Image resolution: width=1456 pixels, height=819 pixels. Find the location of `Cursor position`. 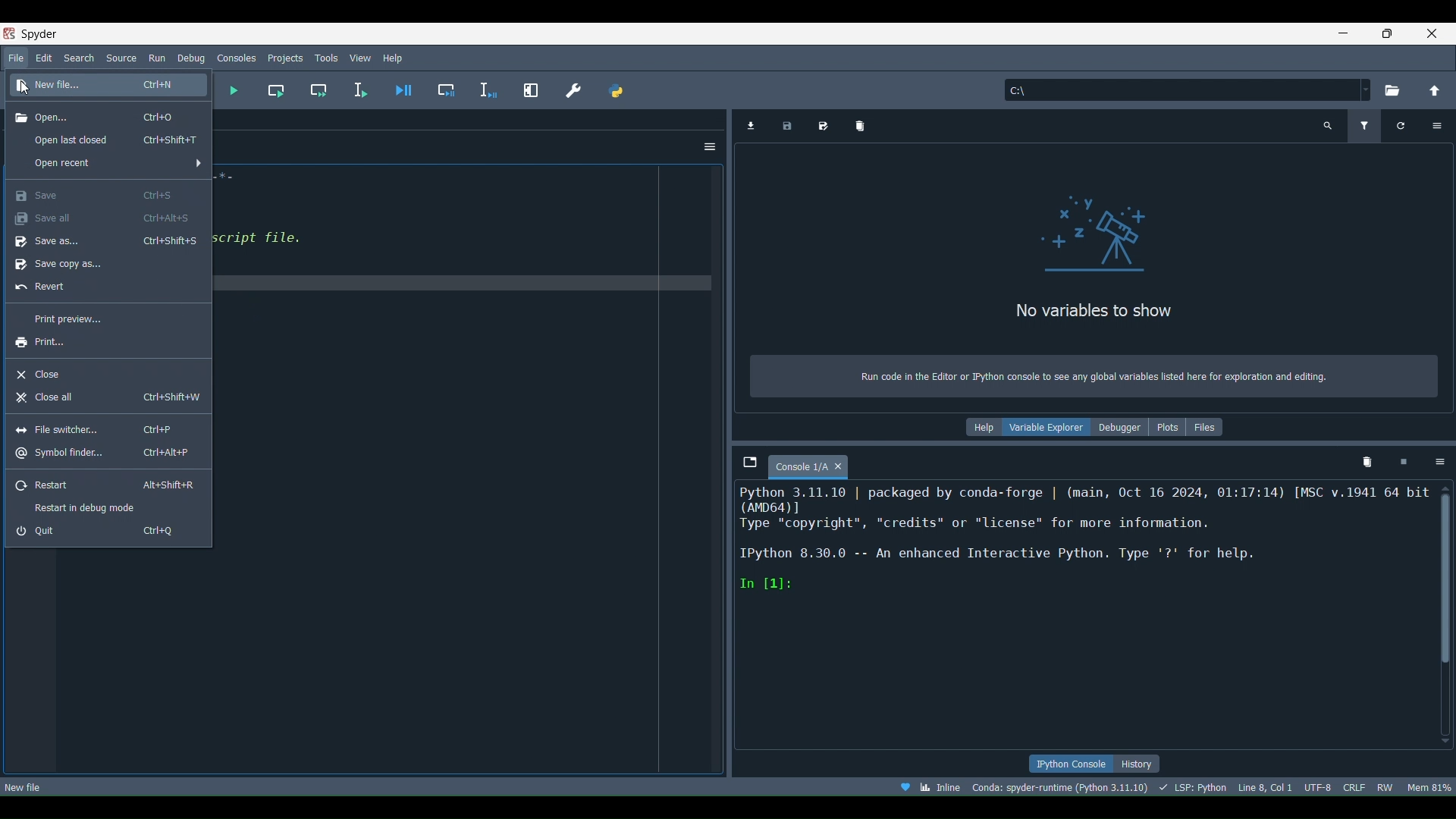

Cursor position is located at coordinates (1266, 787).